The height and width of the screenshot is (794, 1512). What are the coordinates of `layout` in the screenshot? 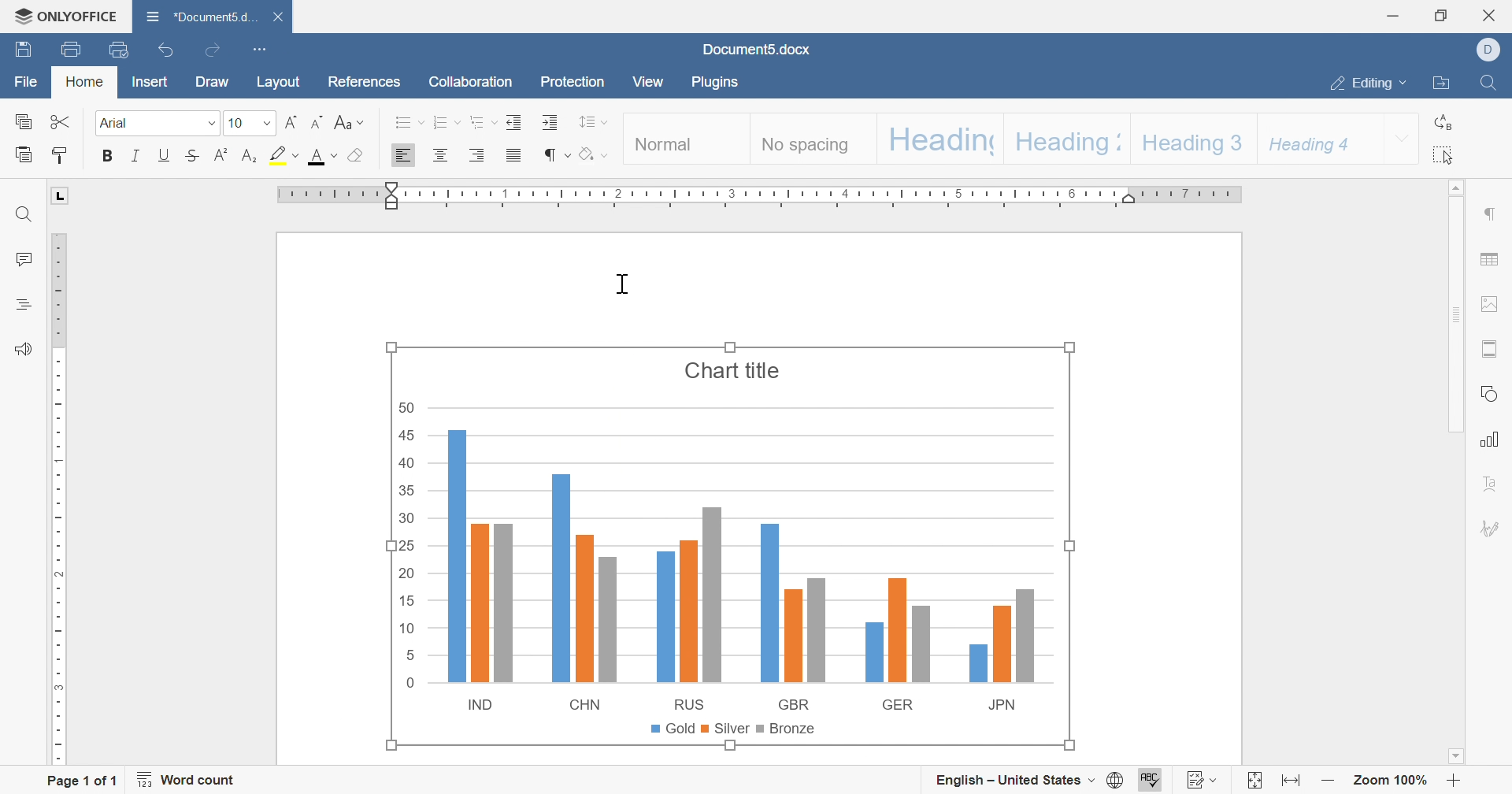 It's located at (279, 83).